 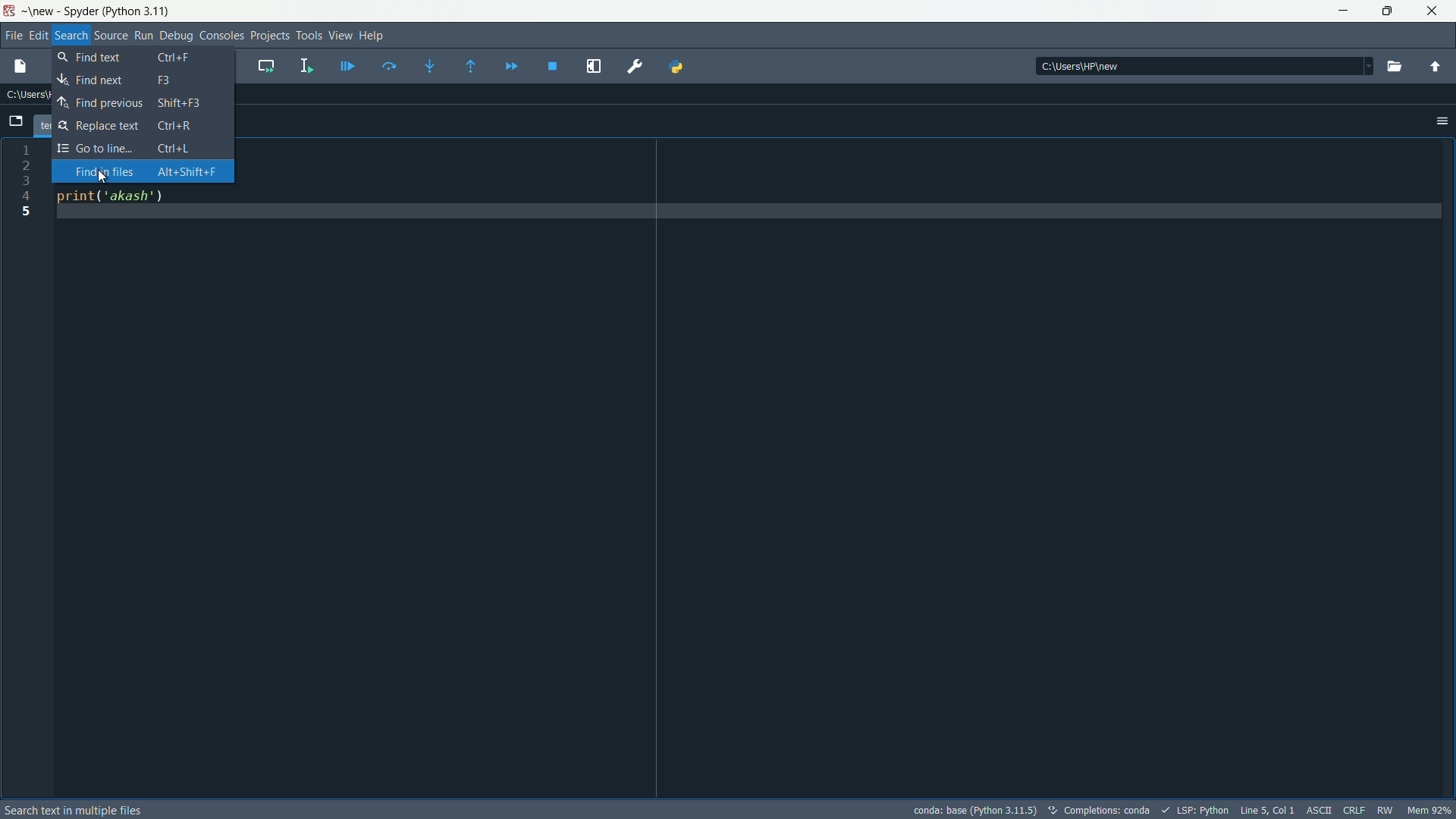 I want to click on maximize current pain, so click(x=591, y=65).